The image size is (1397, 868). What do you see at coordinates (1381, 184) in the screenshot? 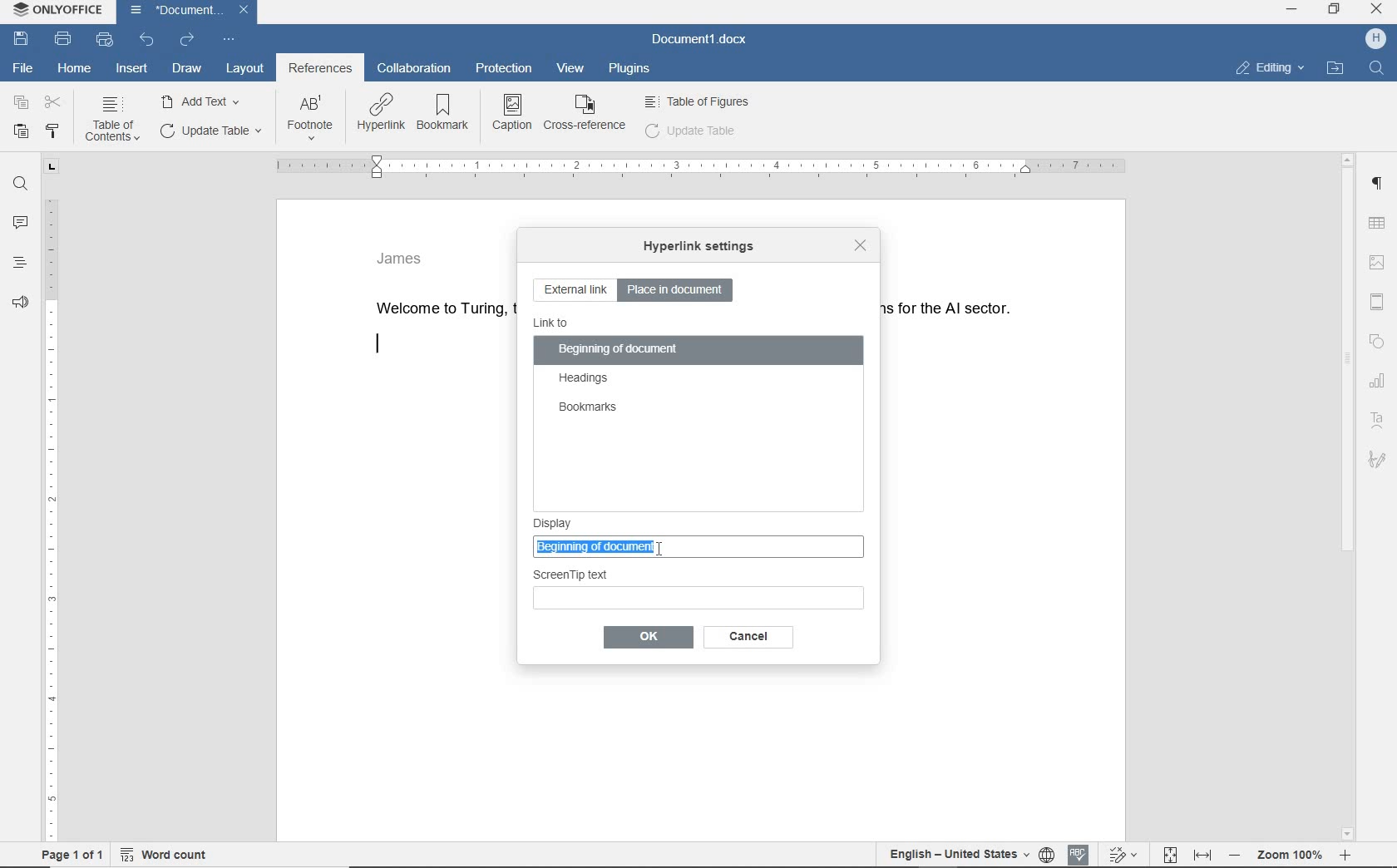
I see `Paragraph` at bounding box center [1381, 184].